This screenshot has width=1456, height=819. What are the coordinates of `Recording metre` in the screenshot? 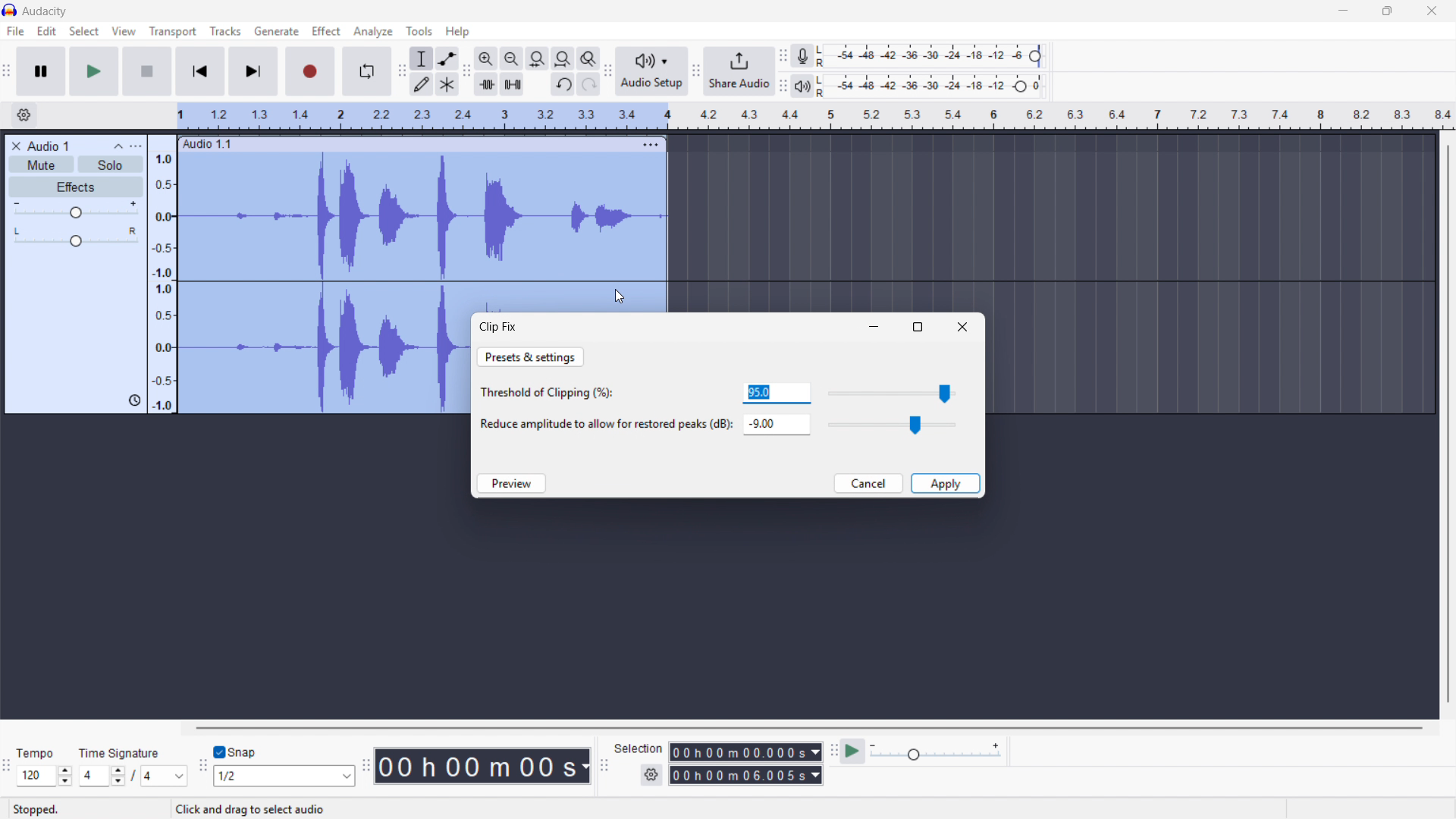 It's located at (802, 56).